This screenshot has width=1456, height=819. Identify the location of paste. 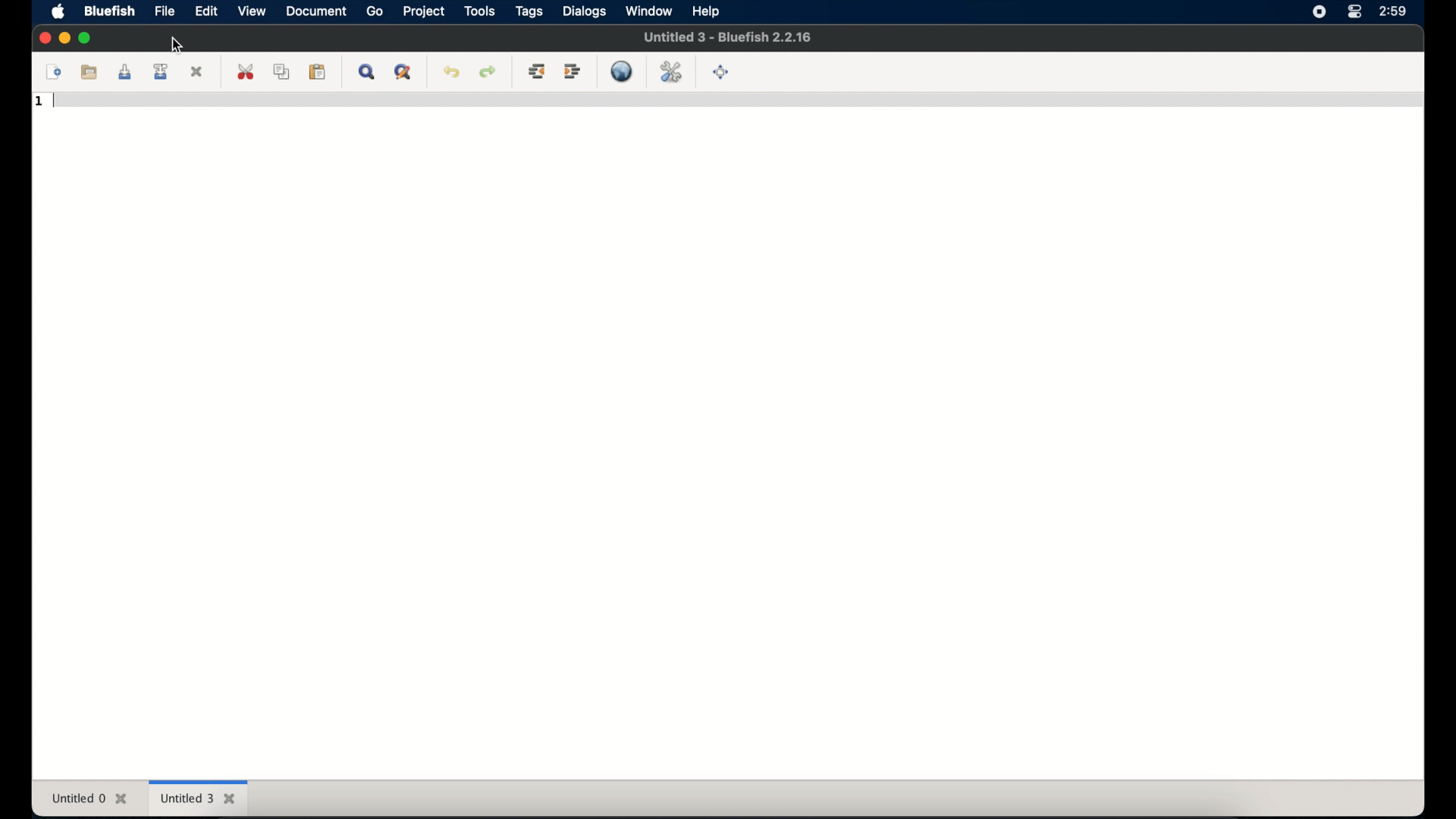
(318, 72).